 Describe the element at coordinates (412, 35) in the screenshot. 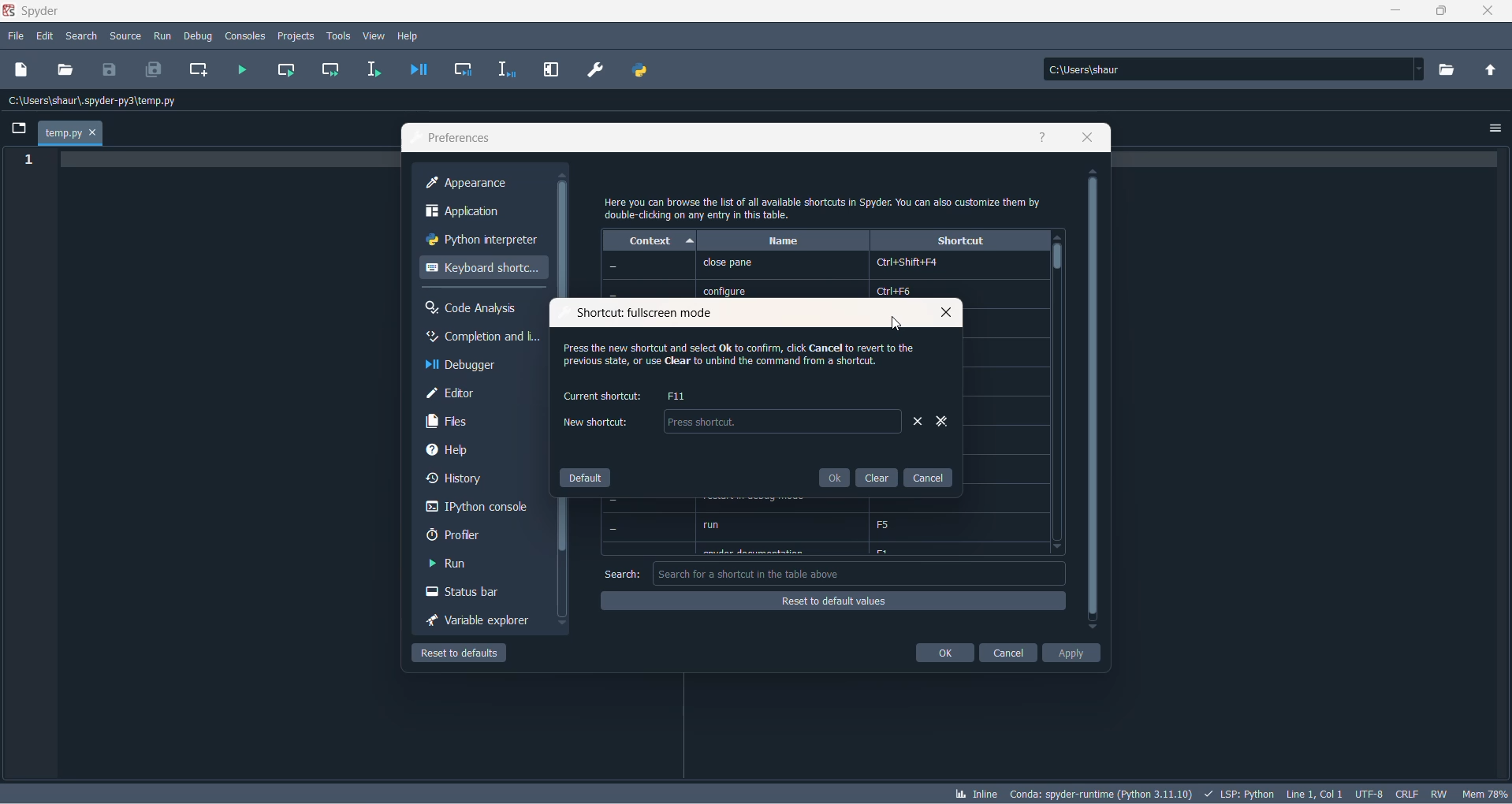

I see `help` at that location.